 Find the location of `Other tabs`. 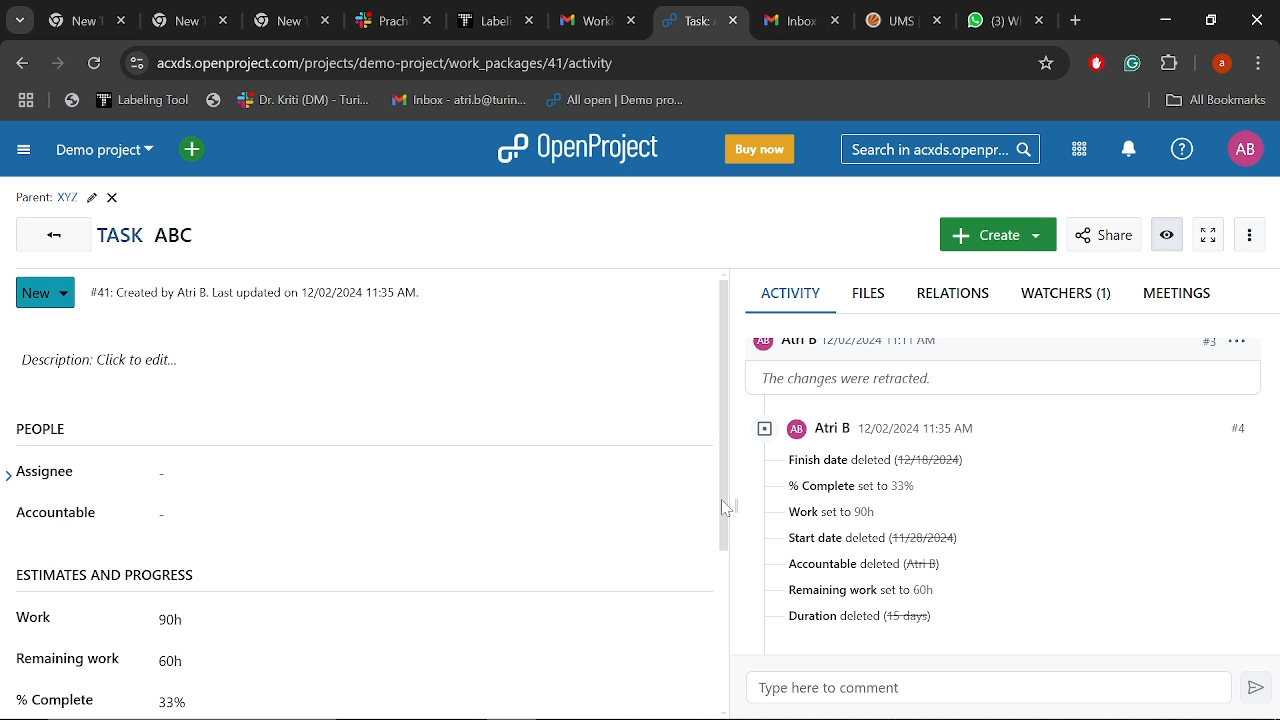

Other tabs is located at coordinates (344, 21).